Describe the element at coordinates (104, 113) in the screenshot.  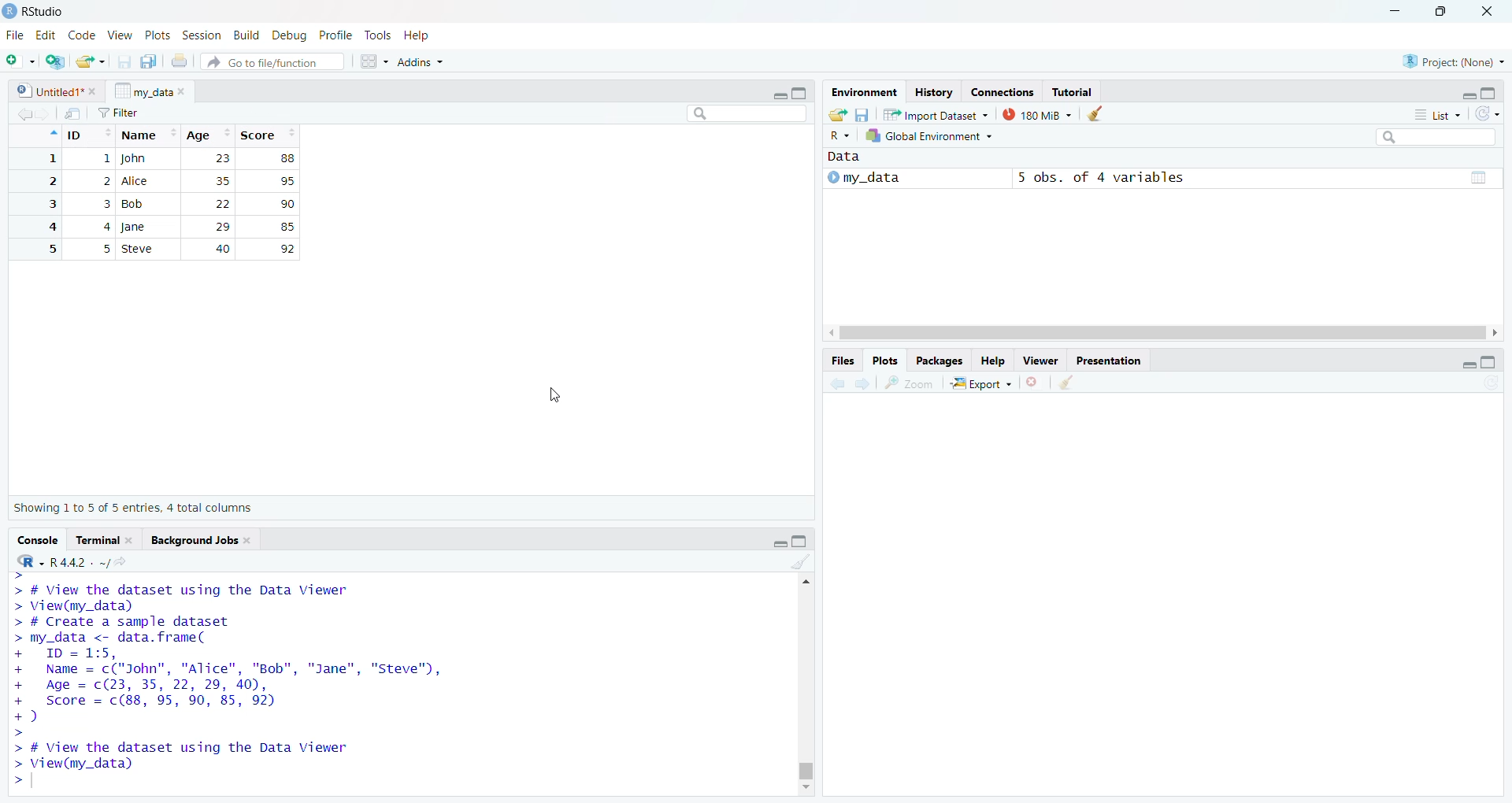
I see `Save` at that location.